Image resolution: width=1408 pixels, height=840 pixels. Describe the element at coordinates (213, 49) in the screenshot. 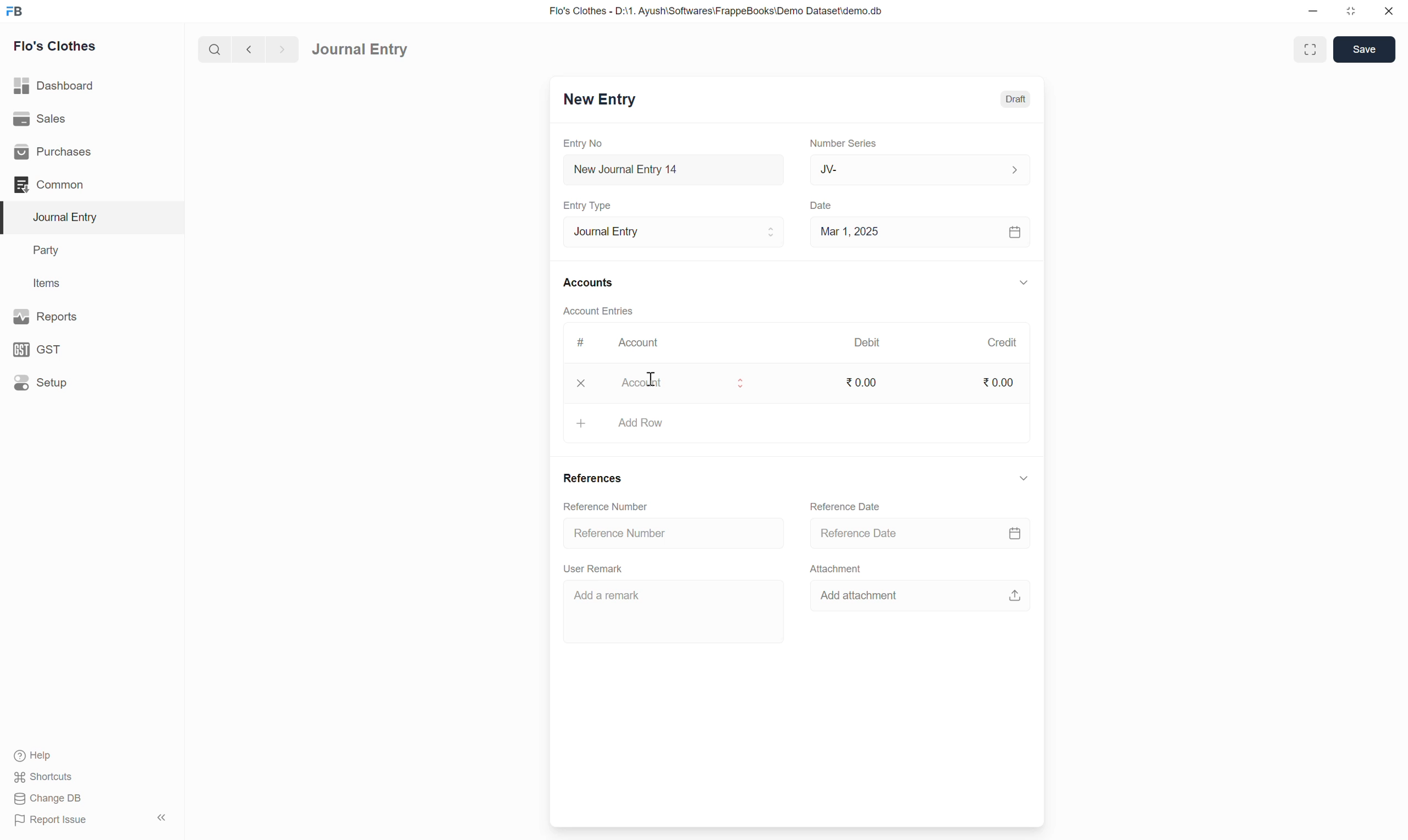

I see `search` at that location.